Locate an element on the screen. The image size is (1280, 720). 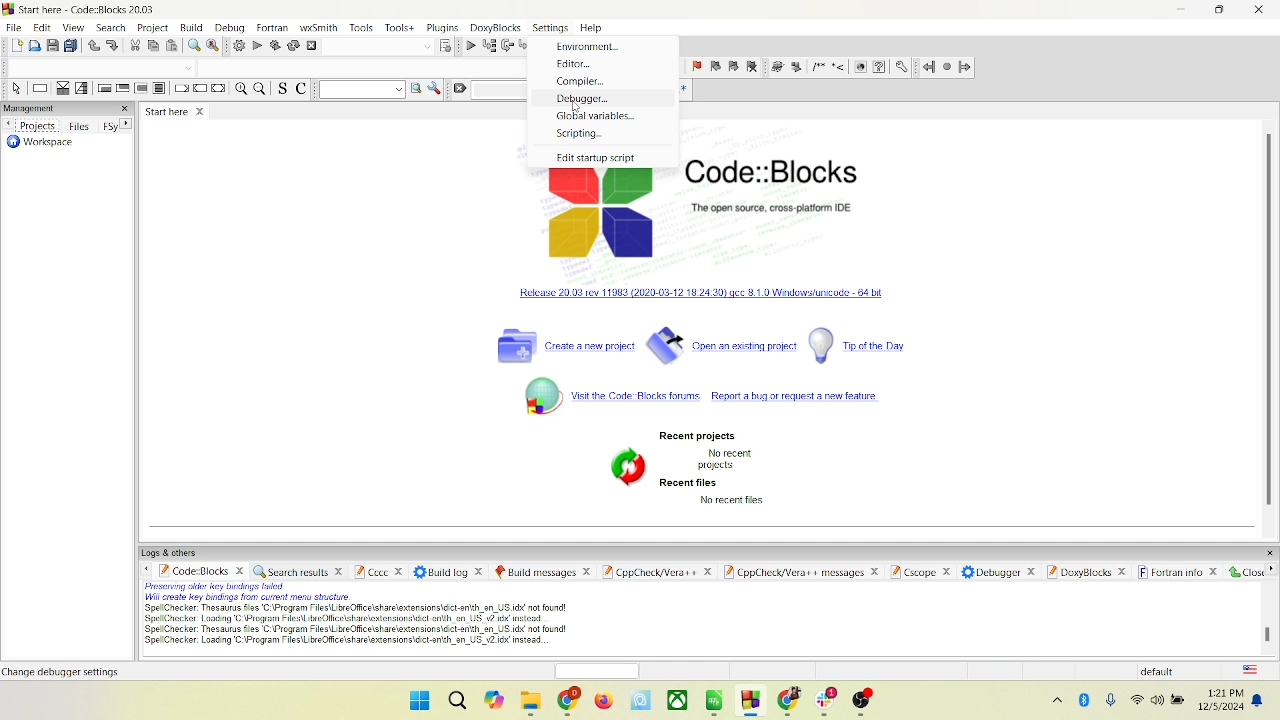
blank space is located at coordinates (379, 47).